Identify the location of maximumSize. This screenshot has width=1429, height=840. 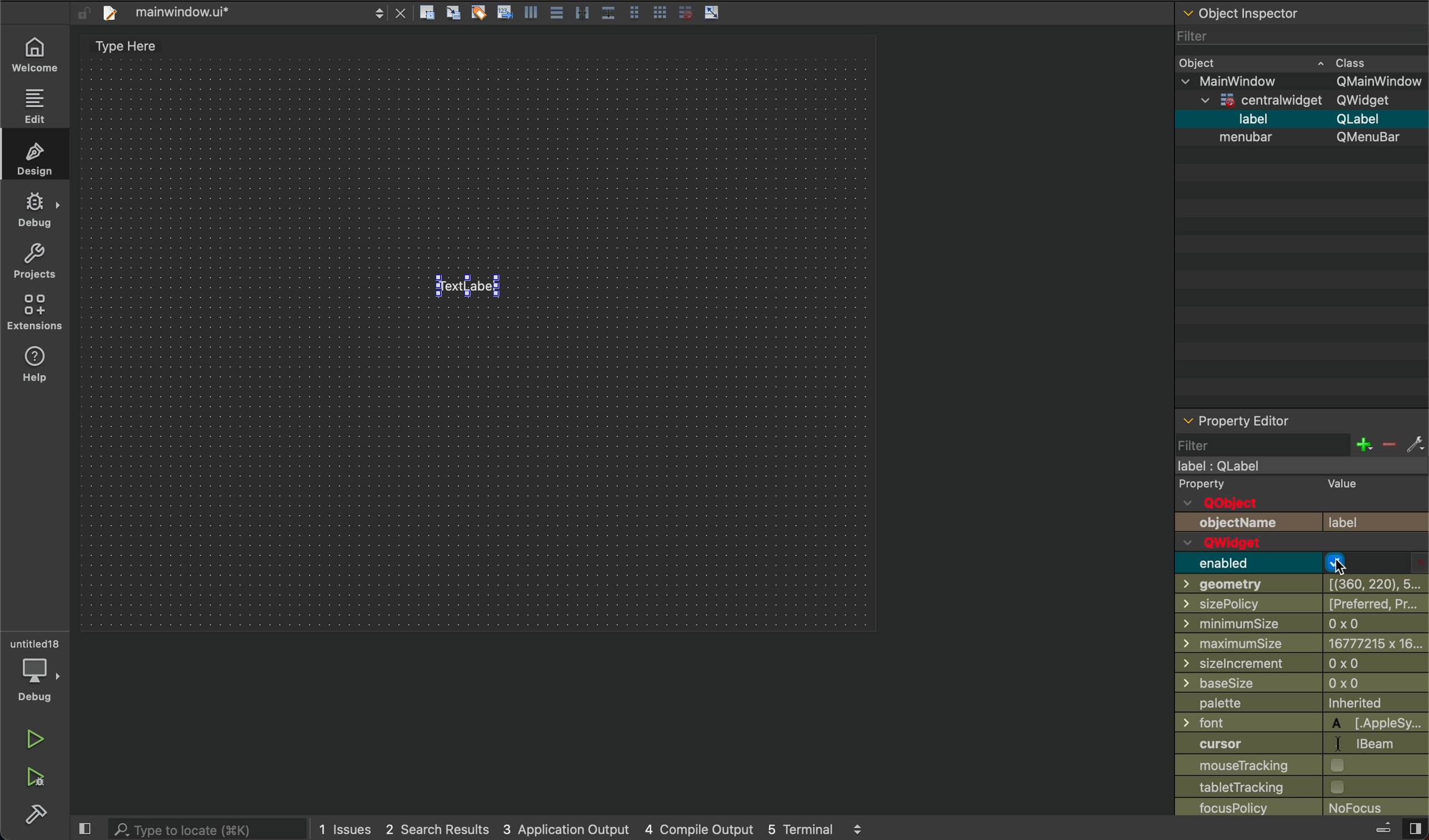
(1230, 642).